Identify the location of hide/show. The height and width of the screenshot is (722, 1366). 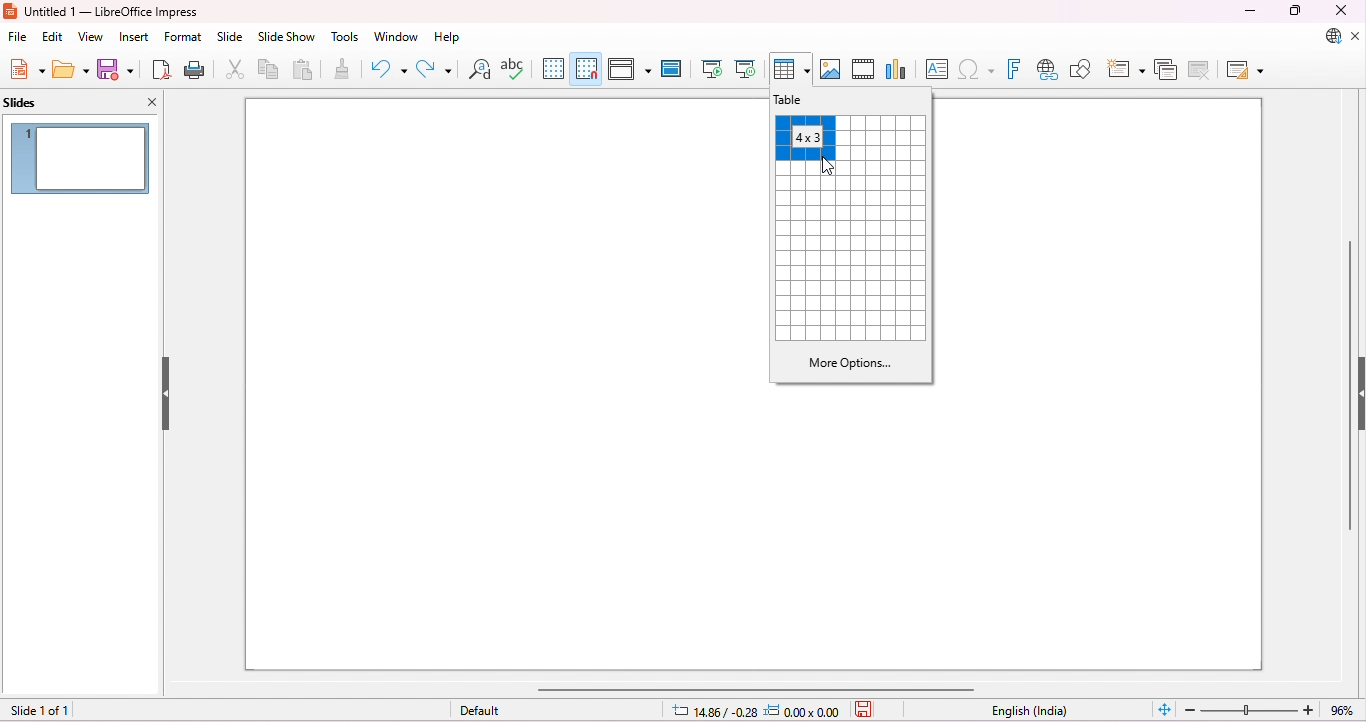
(1357, 390).